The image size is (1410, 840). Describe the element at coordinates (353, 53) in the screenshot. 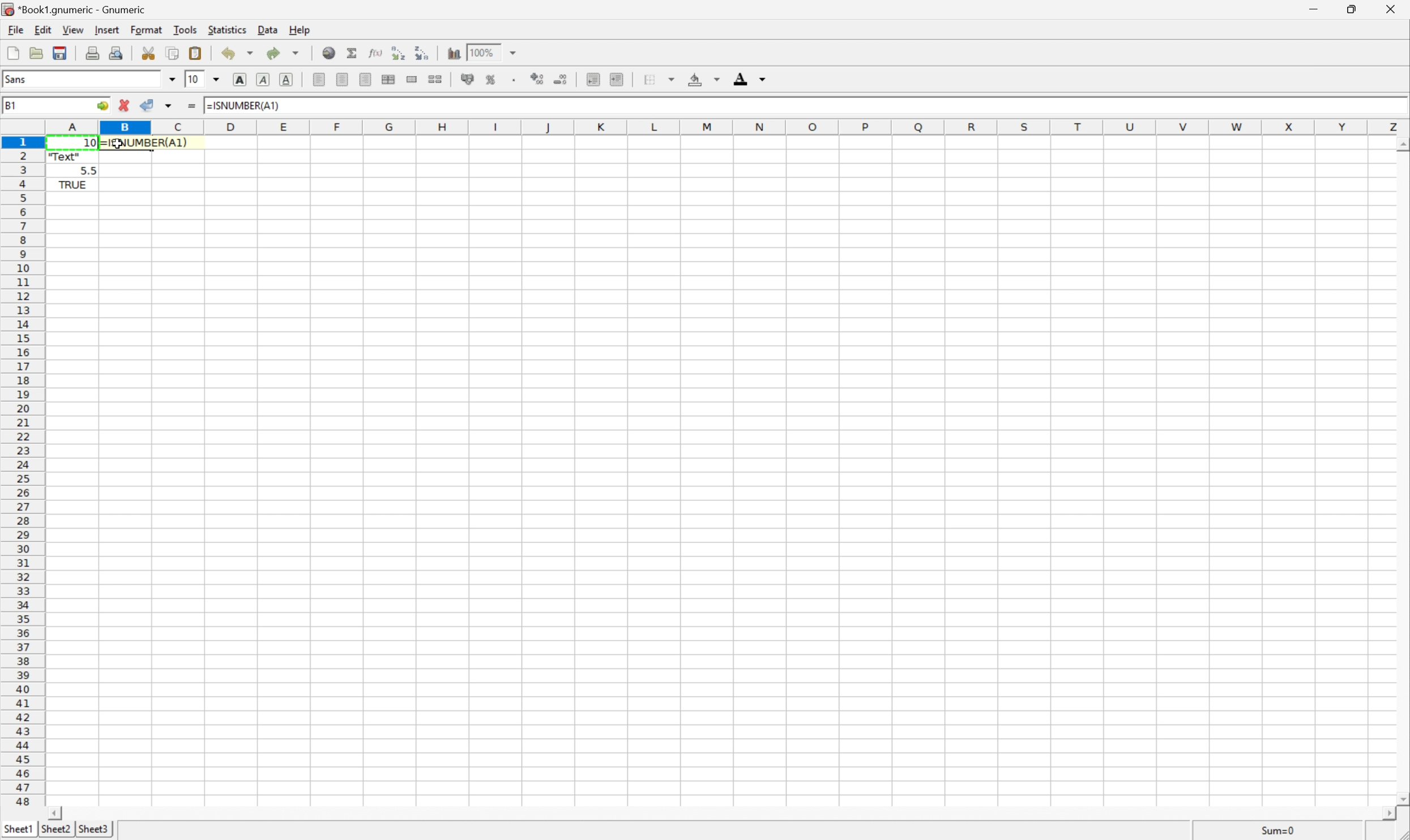

I see `Sum in current cell` at that location.